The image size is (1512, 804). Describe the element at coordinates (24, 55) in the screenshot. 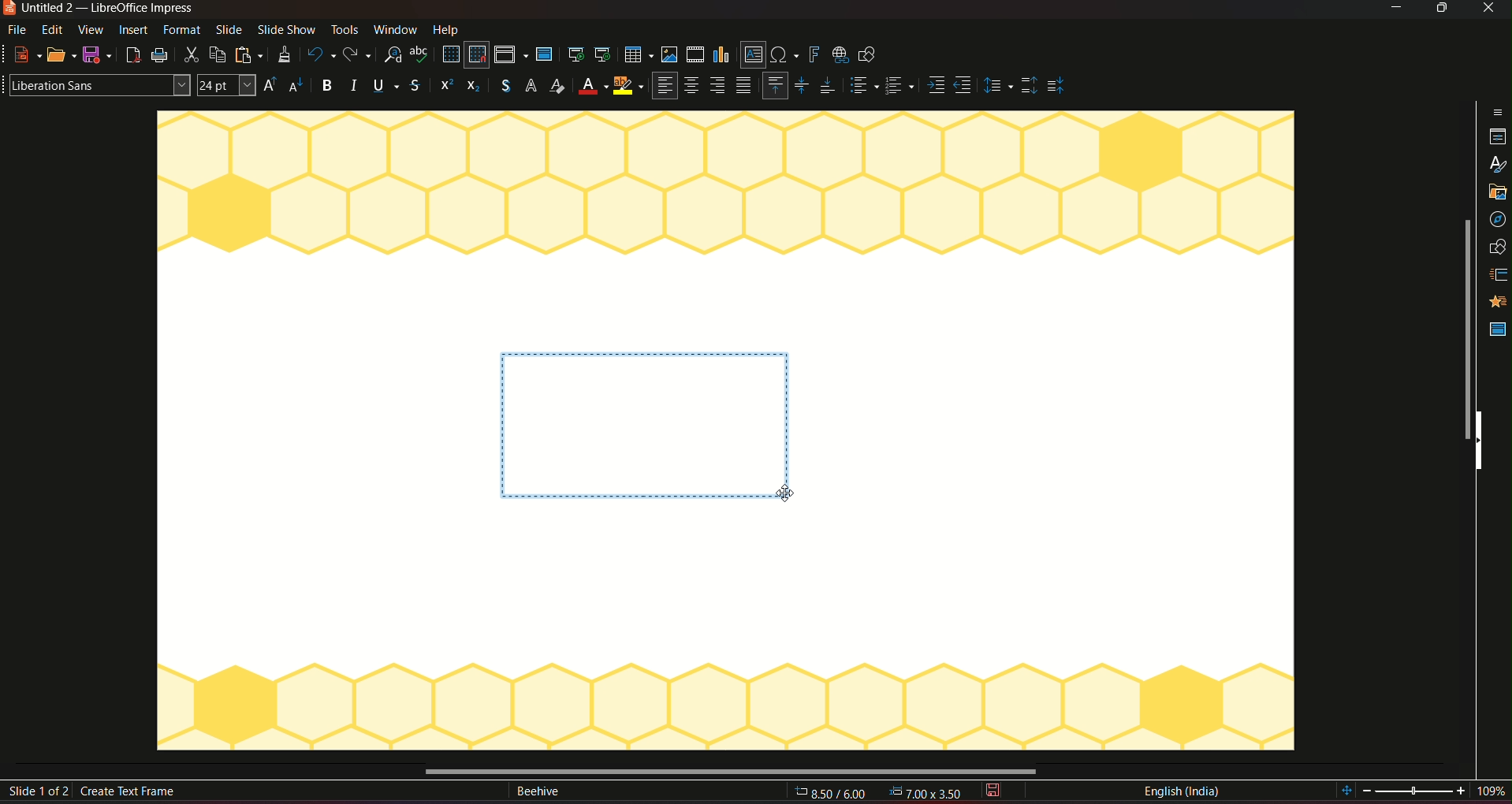

I see `new` at that location.